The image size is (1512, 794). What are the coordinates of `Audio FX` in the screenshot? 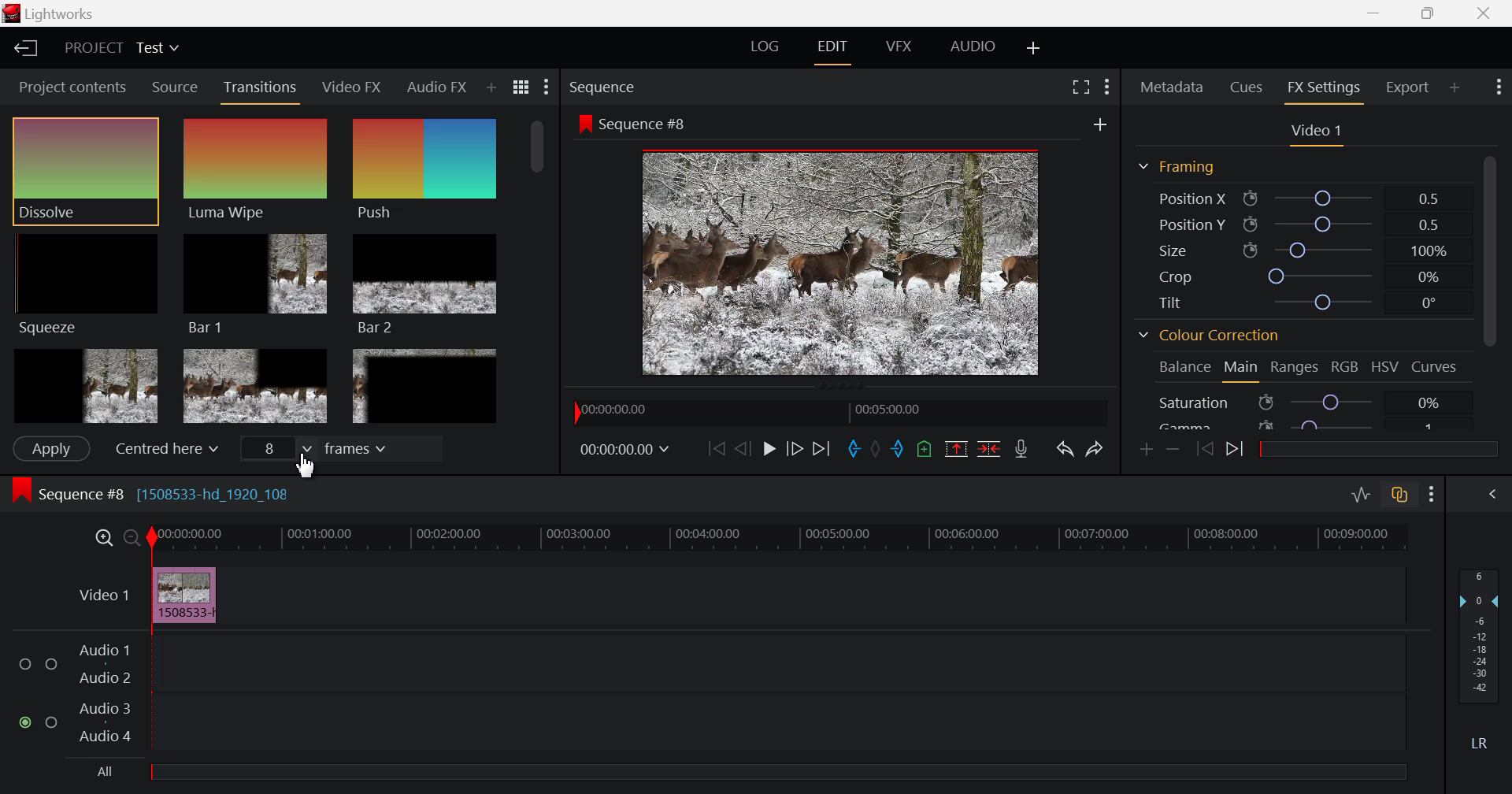 It's located at (436, 83).